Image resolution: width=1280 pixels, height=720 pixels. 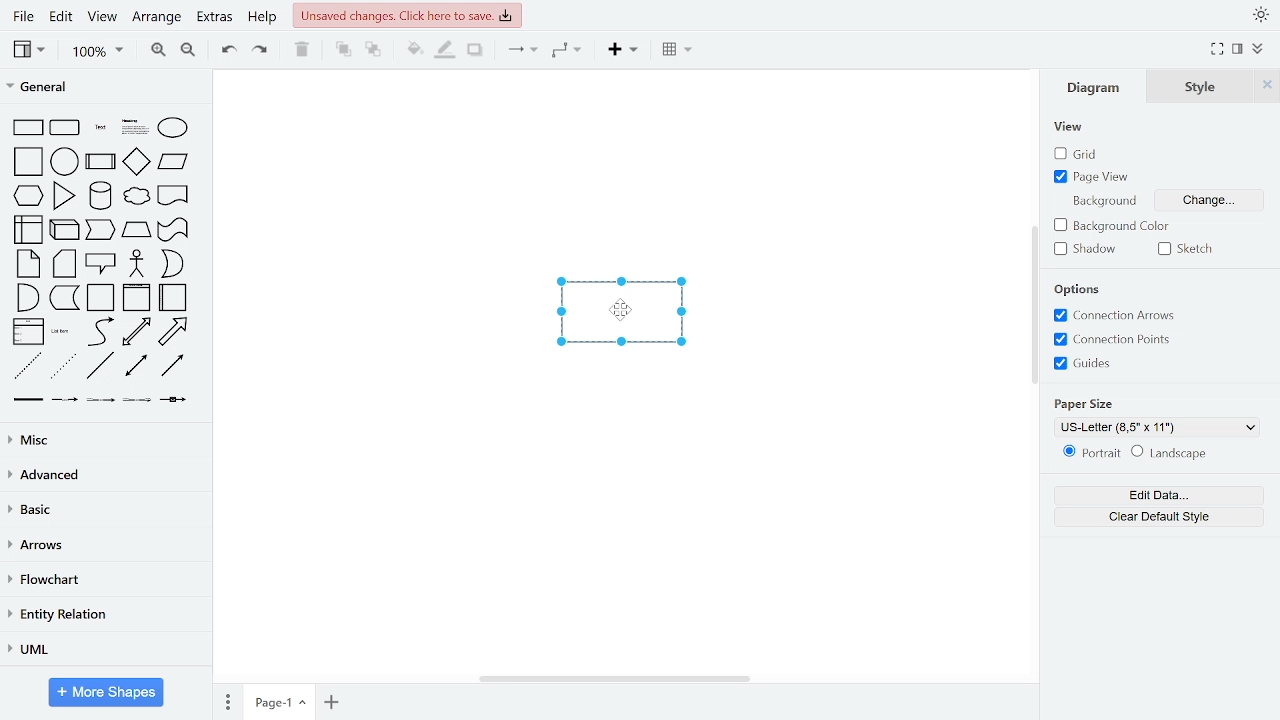 I want to click on background color, so click(x=1125, y=226).